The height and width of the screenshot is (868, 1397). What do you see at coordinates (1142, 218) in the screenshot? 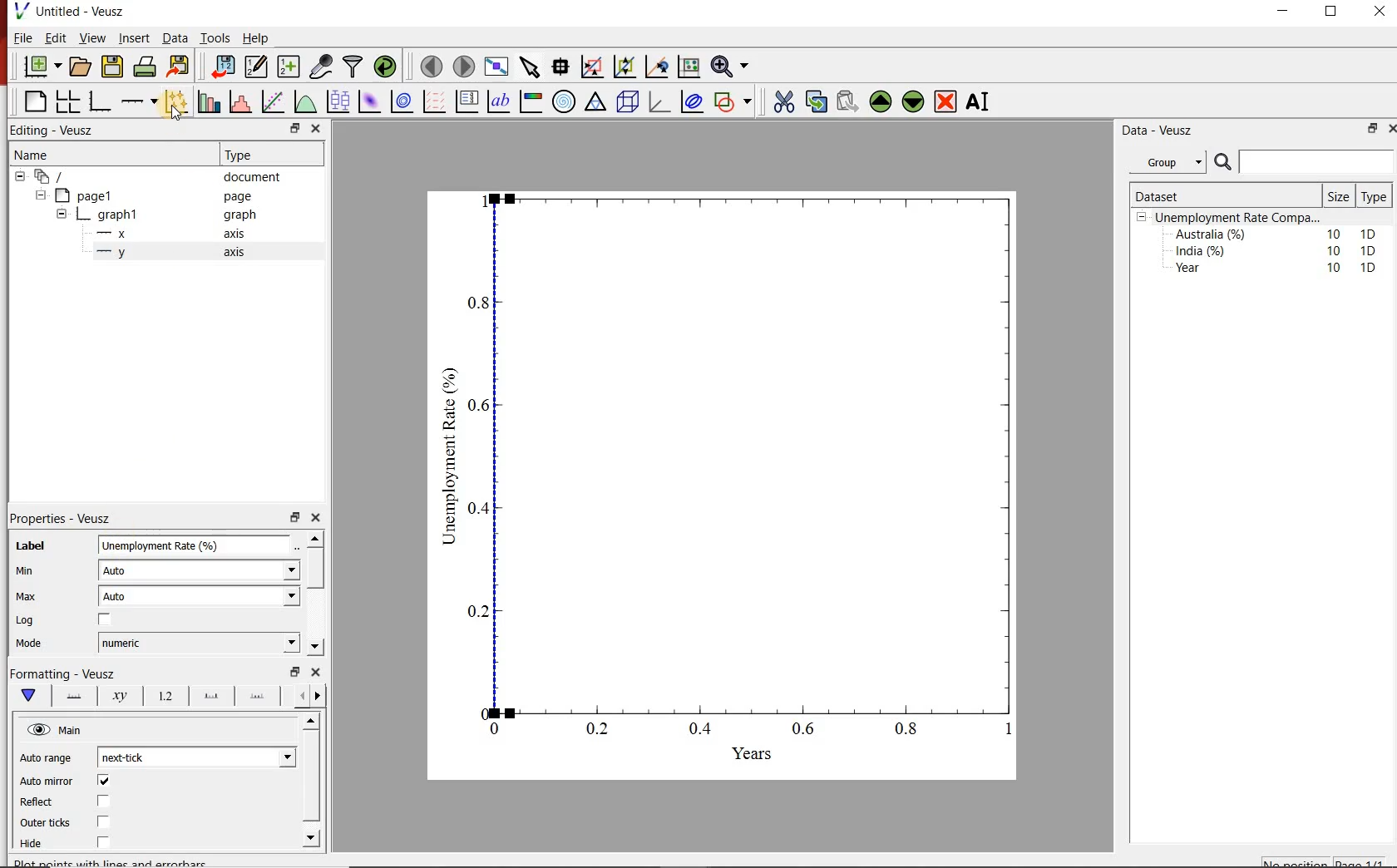
I see `collpase` at bounding box center [1142, 218].